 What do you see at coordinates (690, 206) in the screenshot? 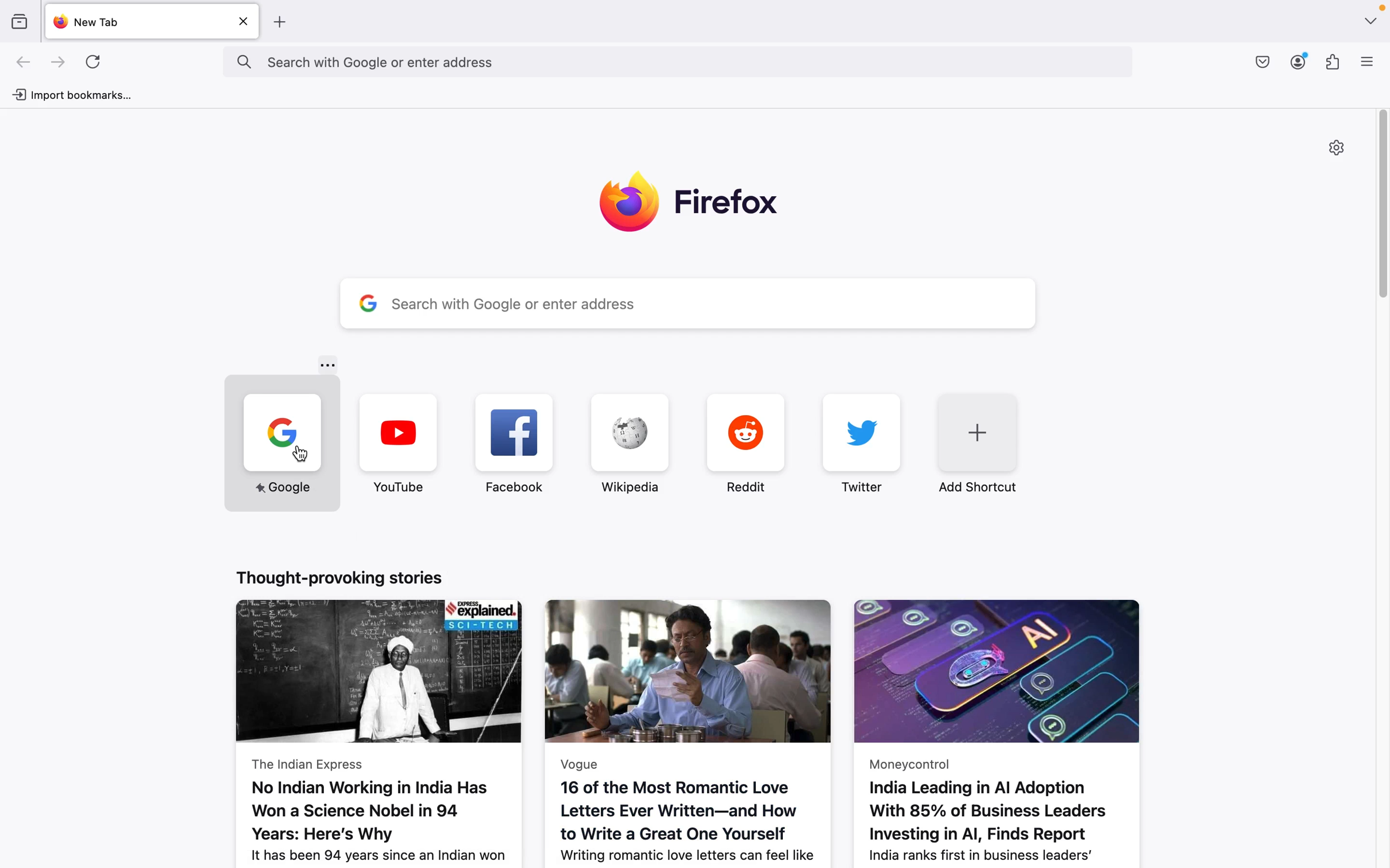
I see `firefox logo` at bounding box center [690, 206].